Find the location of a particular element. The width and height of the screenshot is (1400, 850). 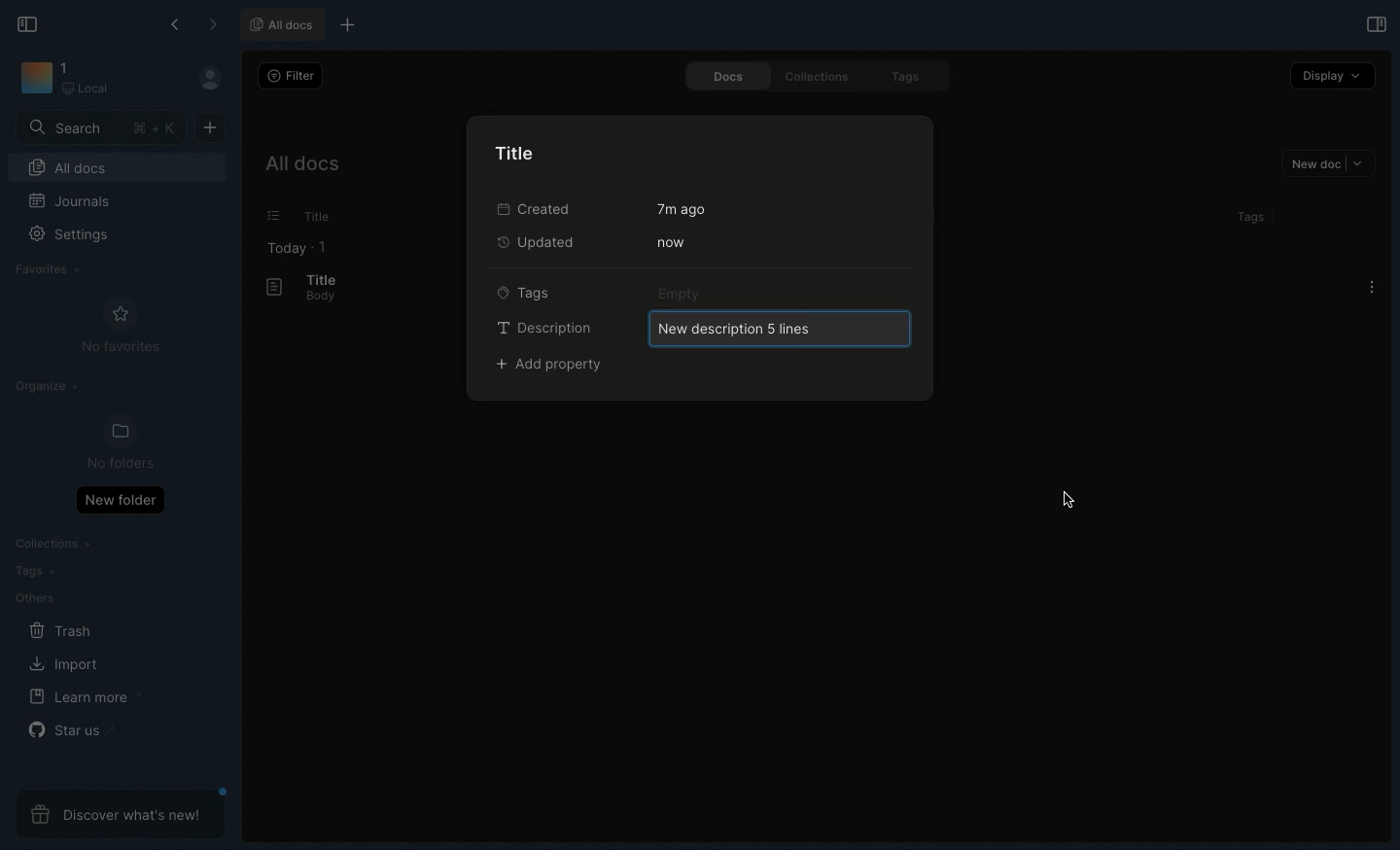

Journals is located at coordinates (71, 203).